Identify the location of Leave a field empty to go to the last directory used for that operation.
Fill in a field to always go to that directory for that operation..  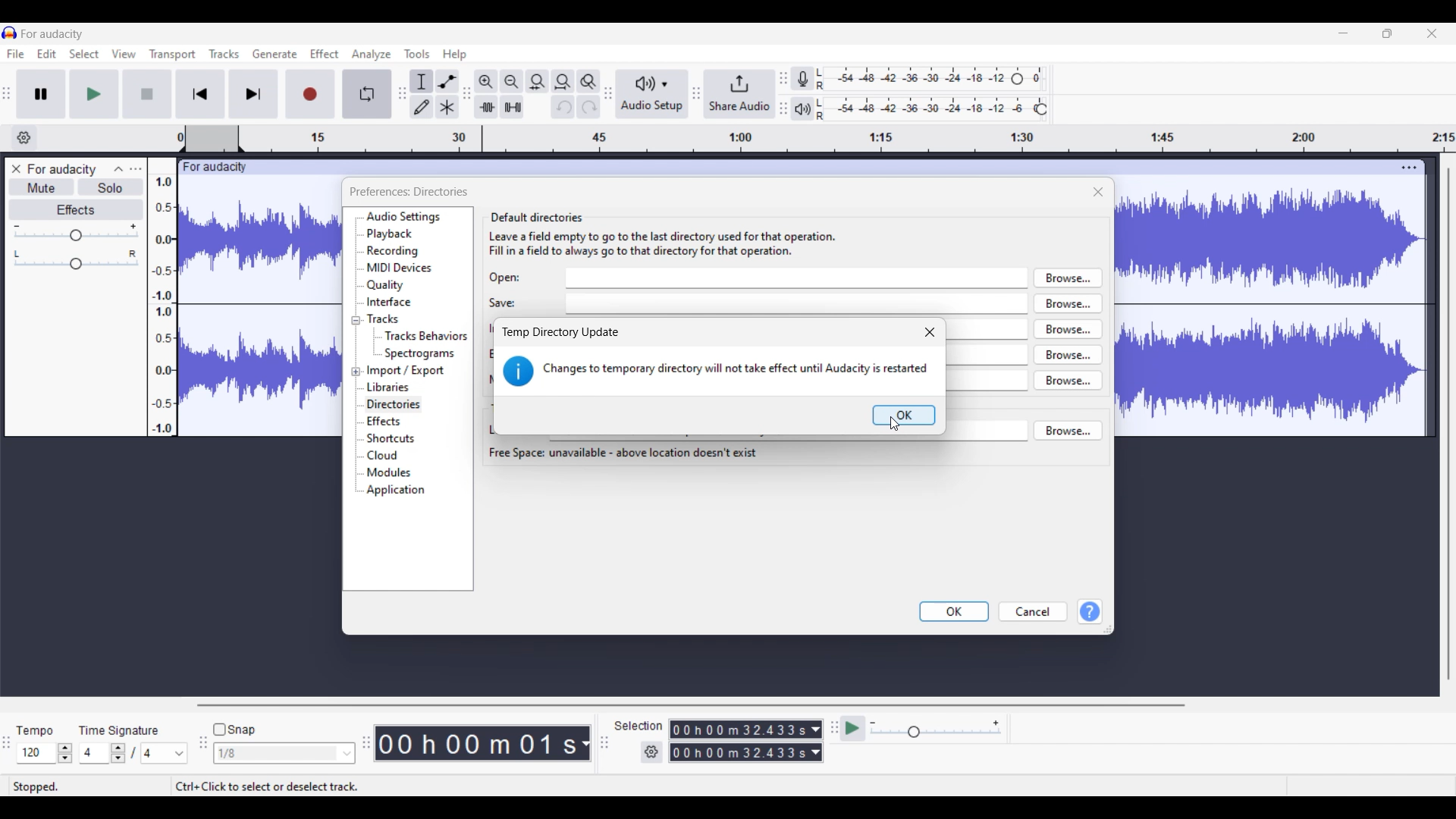
(663, 244).